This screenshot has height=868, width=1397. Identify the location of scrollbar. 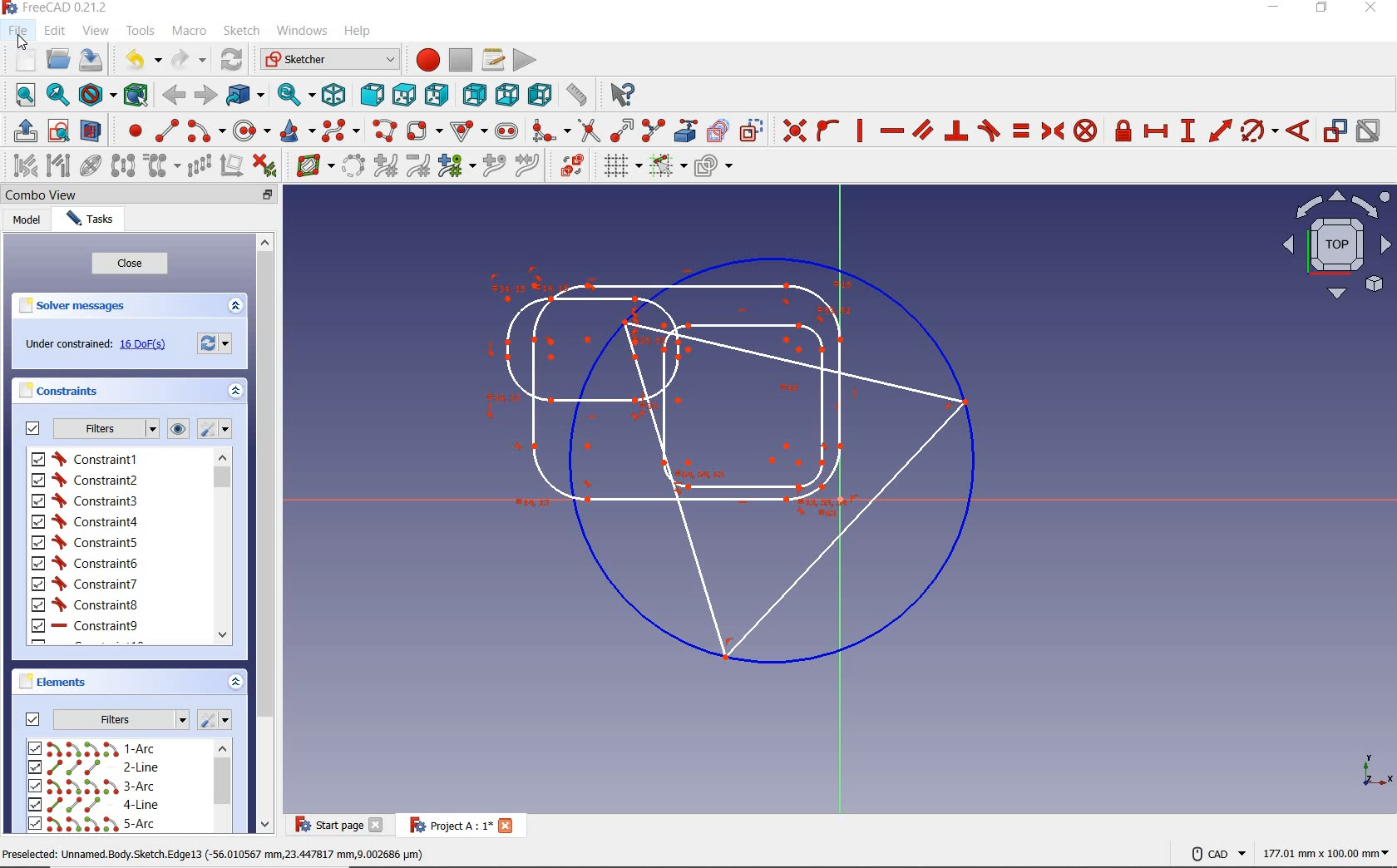
(222, 787).